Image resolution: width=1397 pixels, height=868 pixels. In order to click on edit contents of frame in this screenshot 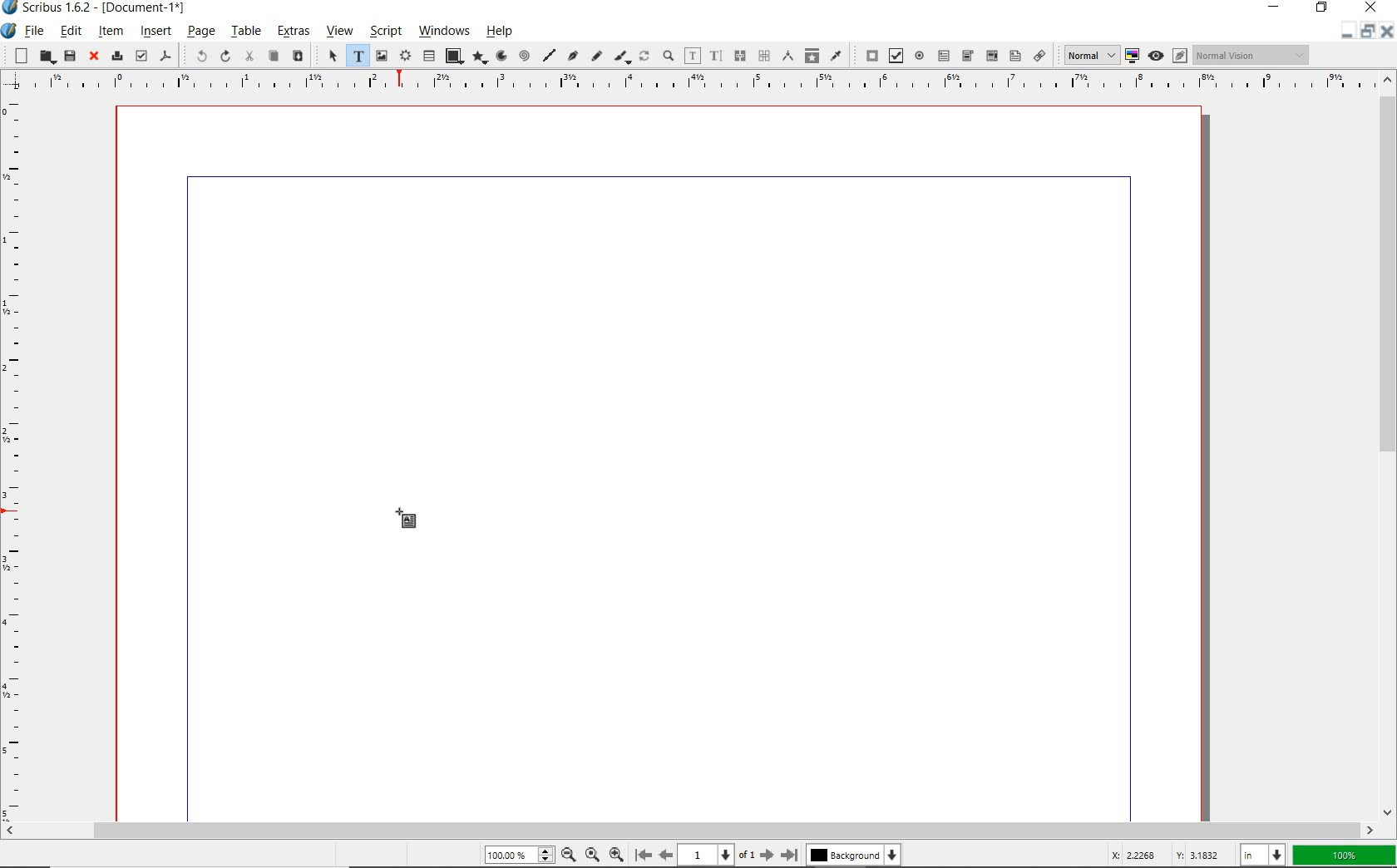, I will do `click(693, 57)`.